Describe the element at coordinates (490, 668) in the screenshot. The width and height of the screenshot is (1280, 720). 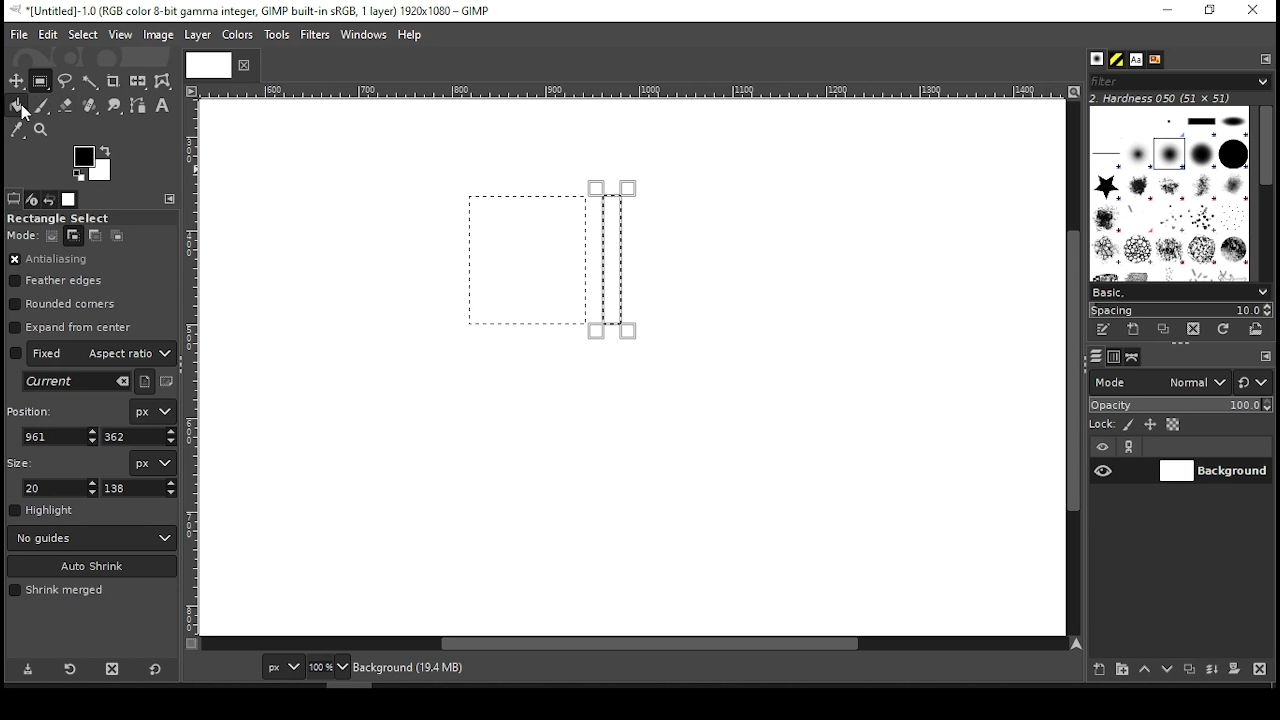
I see `background (28.0mb)` at that location.